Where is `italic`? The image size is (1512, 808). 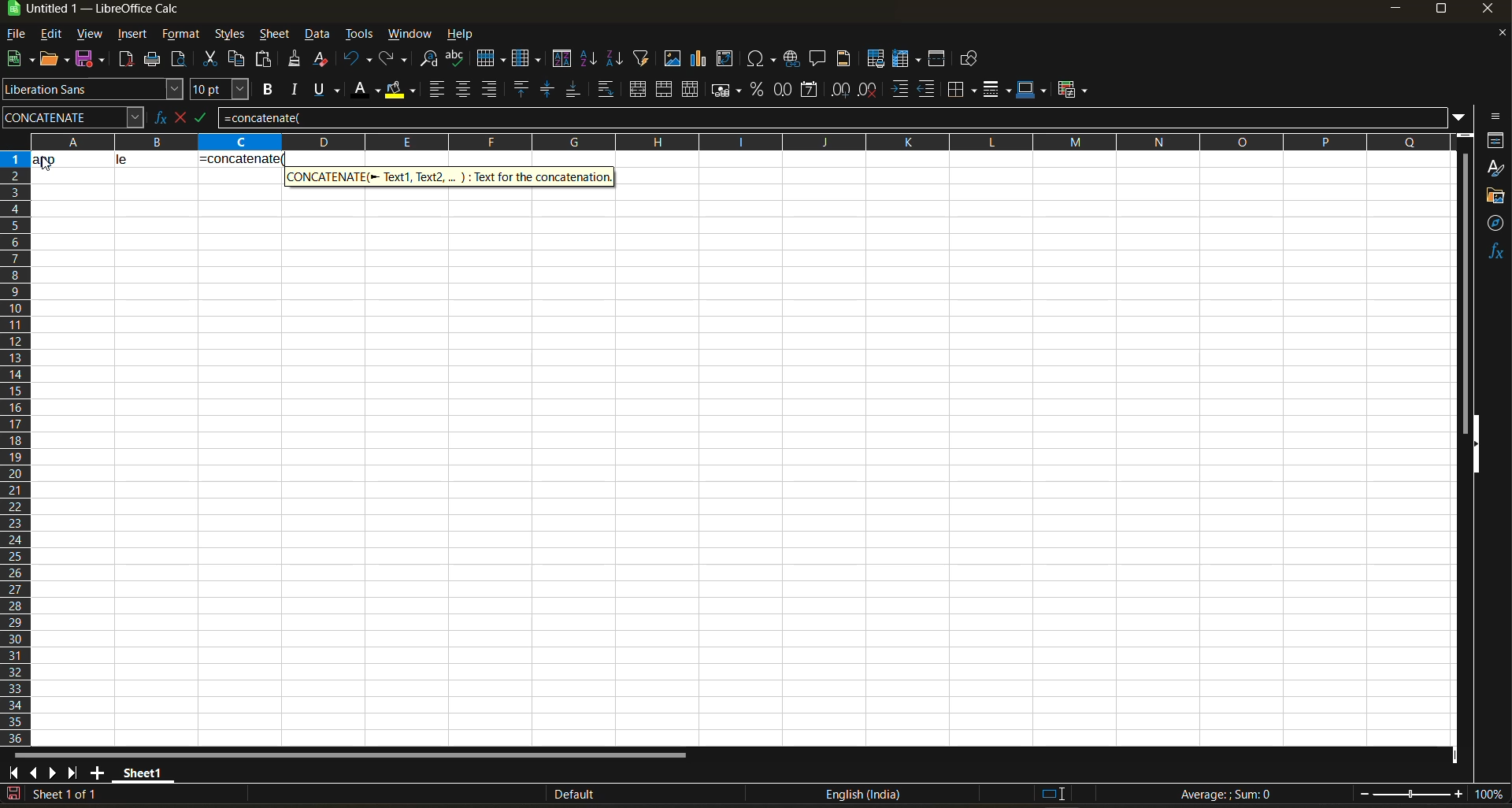 italic is located at coordinates (295, 90).